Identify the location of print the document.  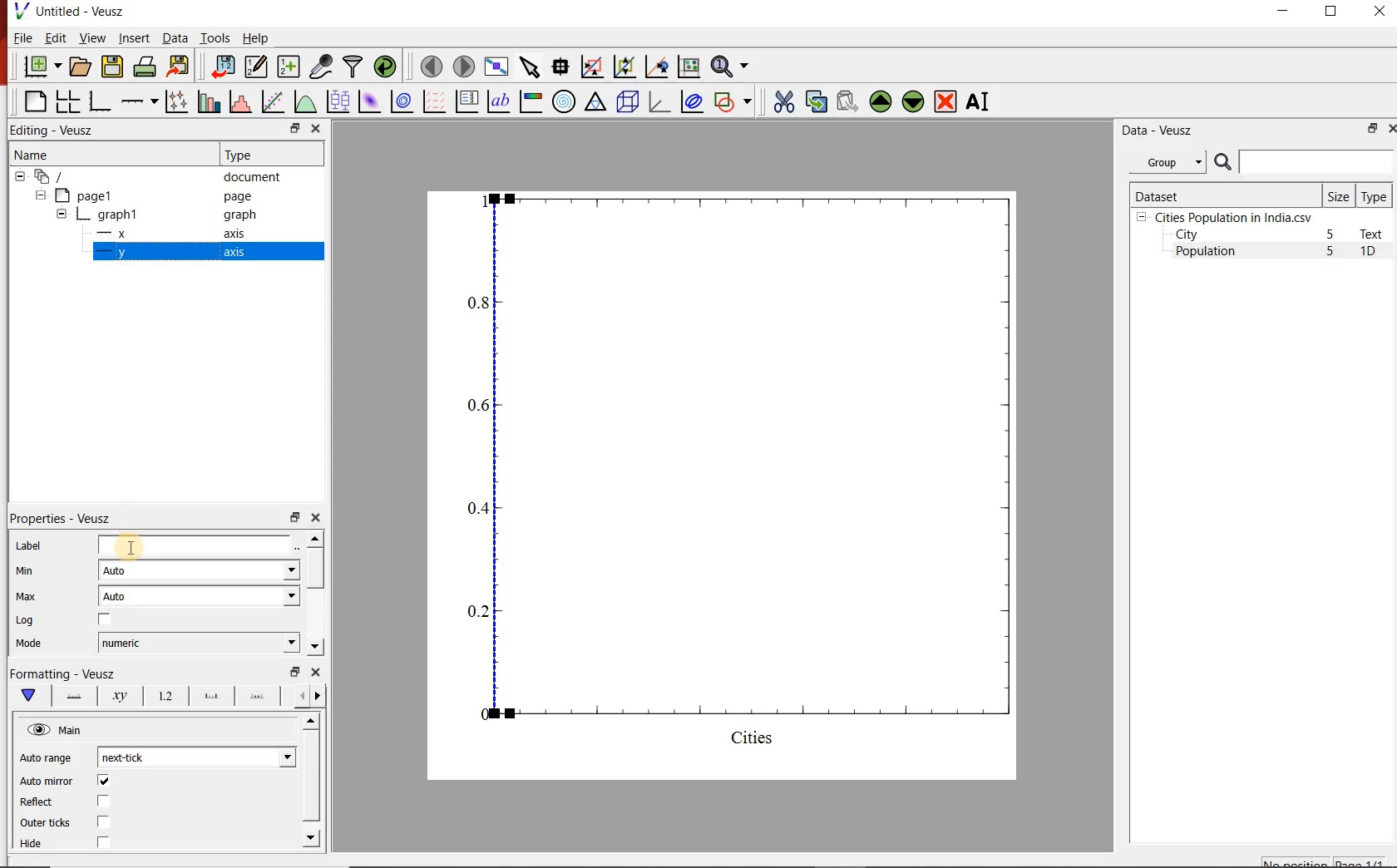
(144, 67).